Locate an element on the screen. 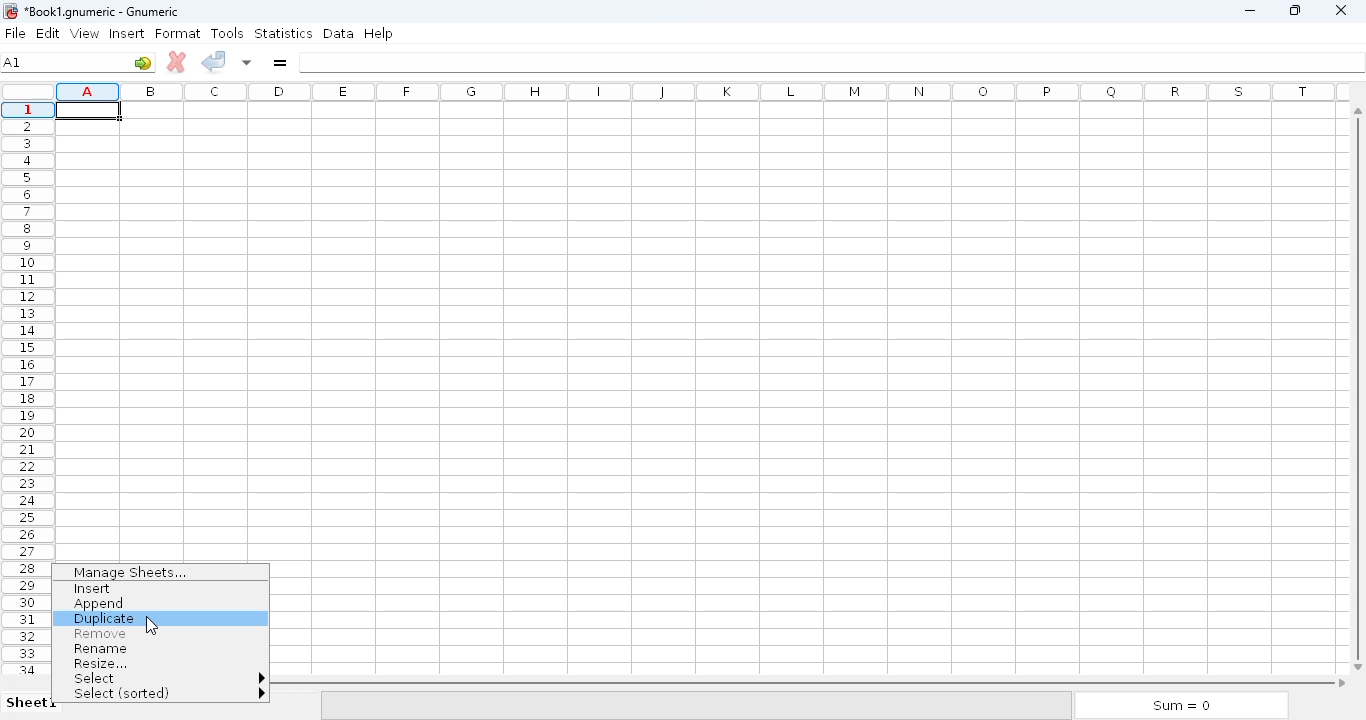 Image resolution: width=1366 pixels, height=720 pixels. append is located at coordinates (101, 604).